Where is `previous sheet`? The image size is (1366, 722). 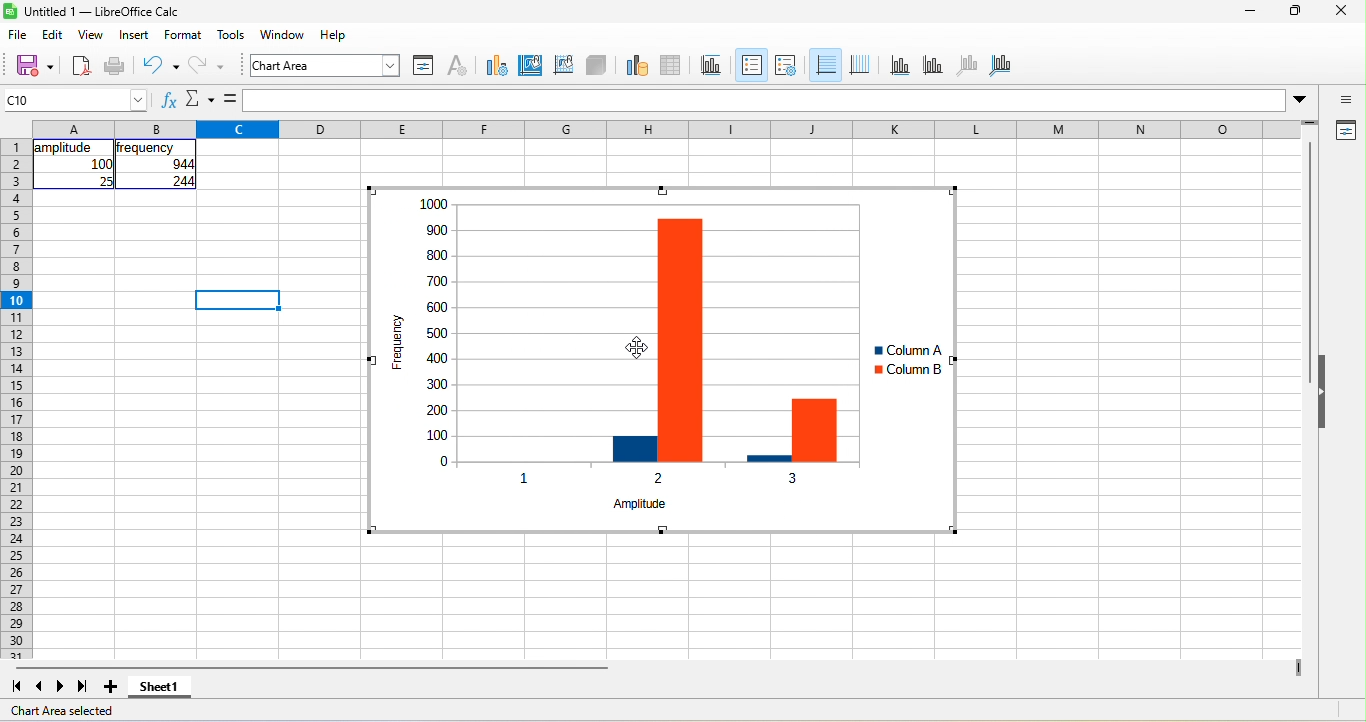
previous sheet is located at coordinates (40, 687).